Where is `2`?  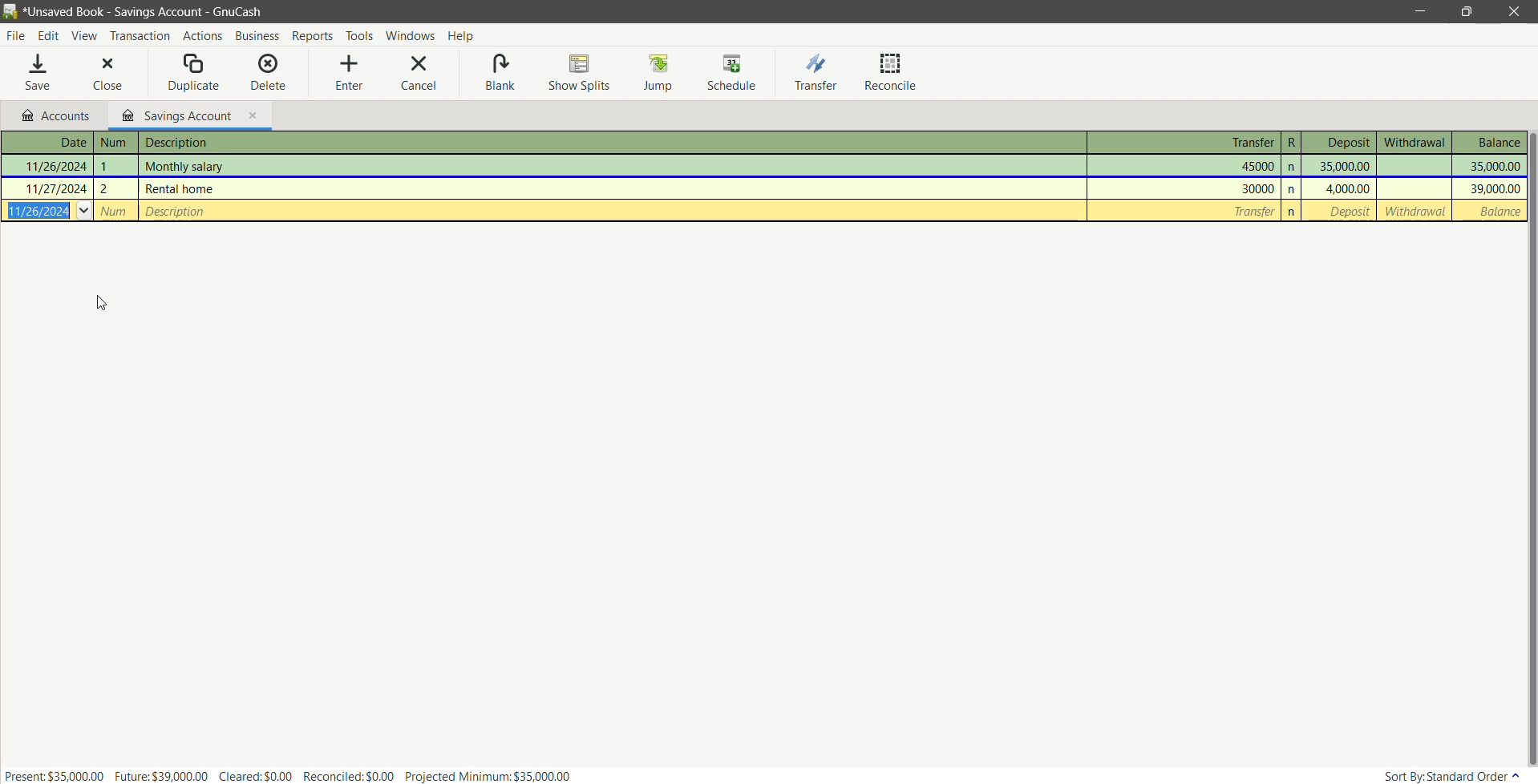
2 is located at coordinates (115, 188).